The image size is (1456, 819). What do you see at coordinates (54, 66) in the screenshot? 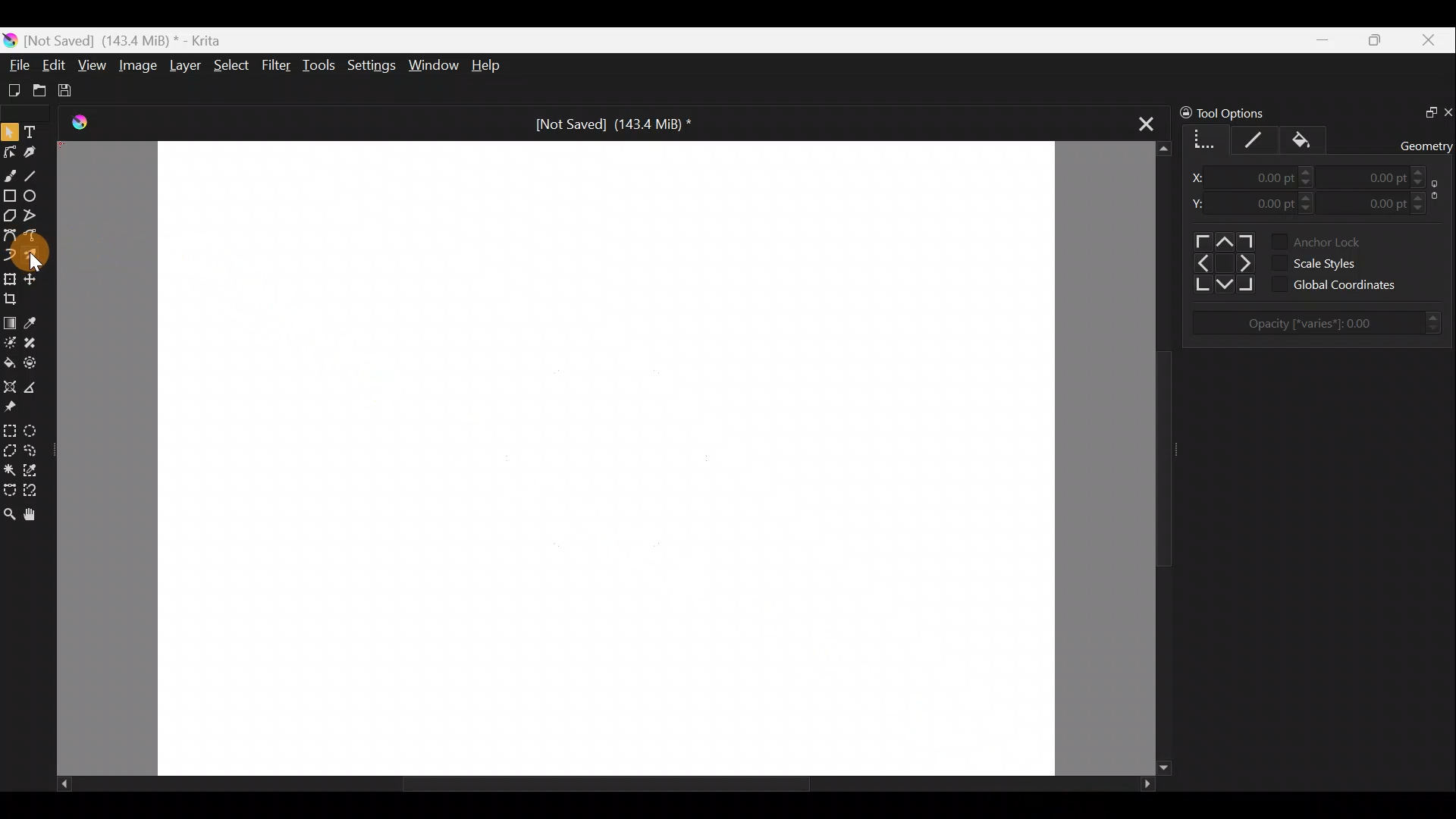
I see `Edit` at bounding box center [54, 66].